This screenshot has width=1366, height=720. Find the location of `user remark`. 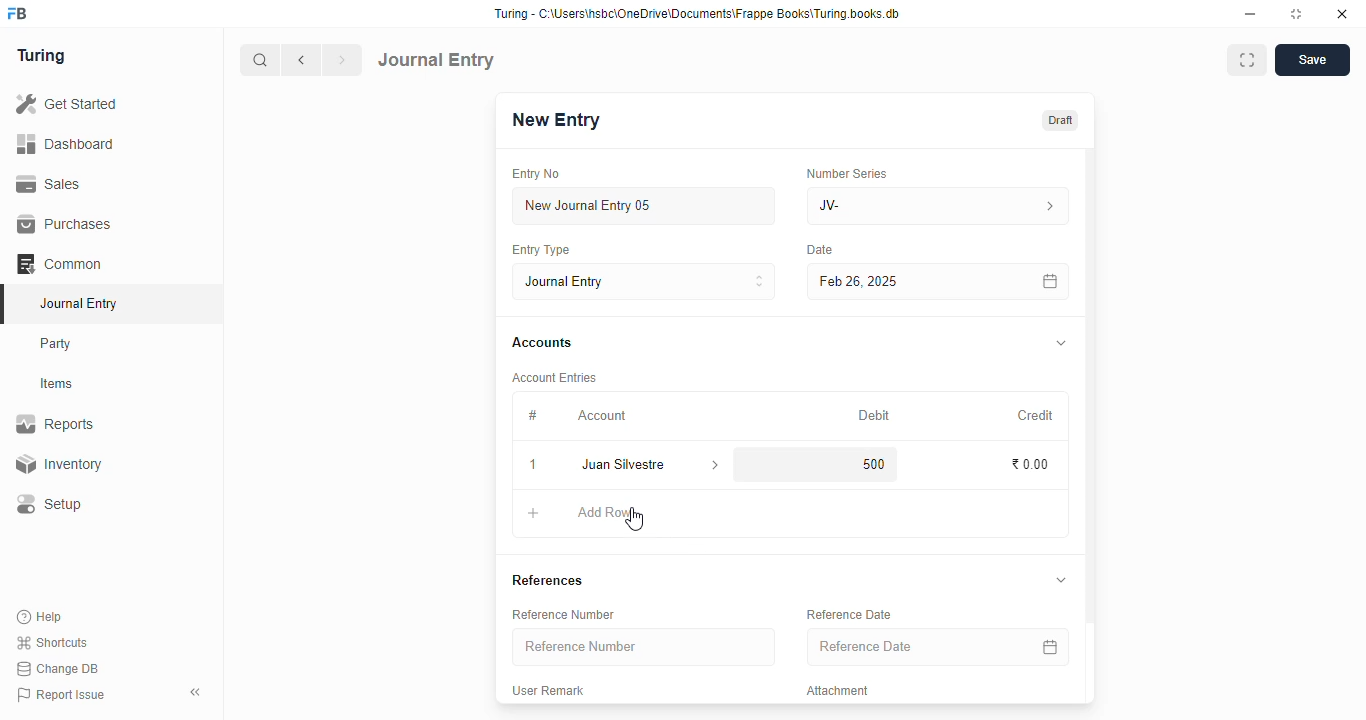

user remark is located at coordinates (548, 691).